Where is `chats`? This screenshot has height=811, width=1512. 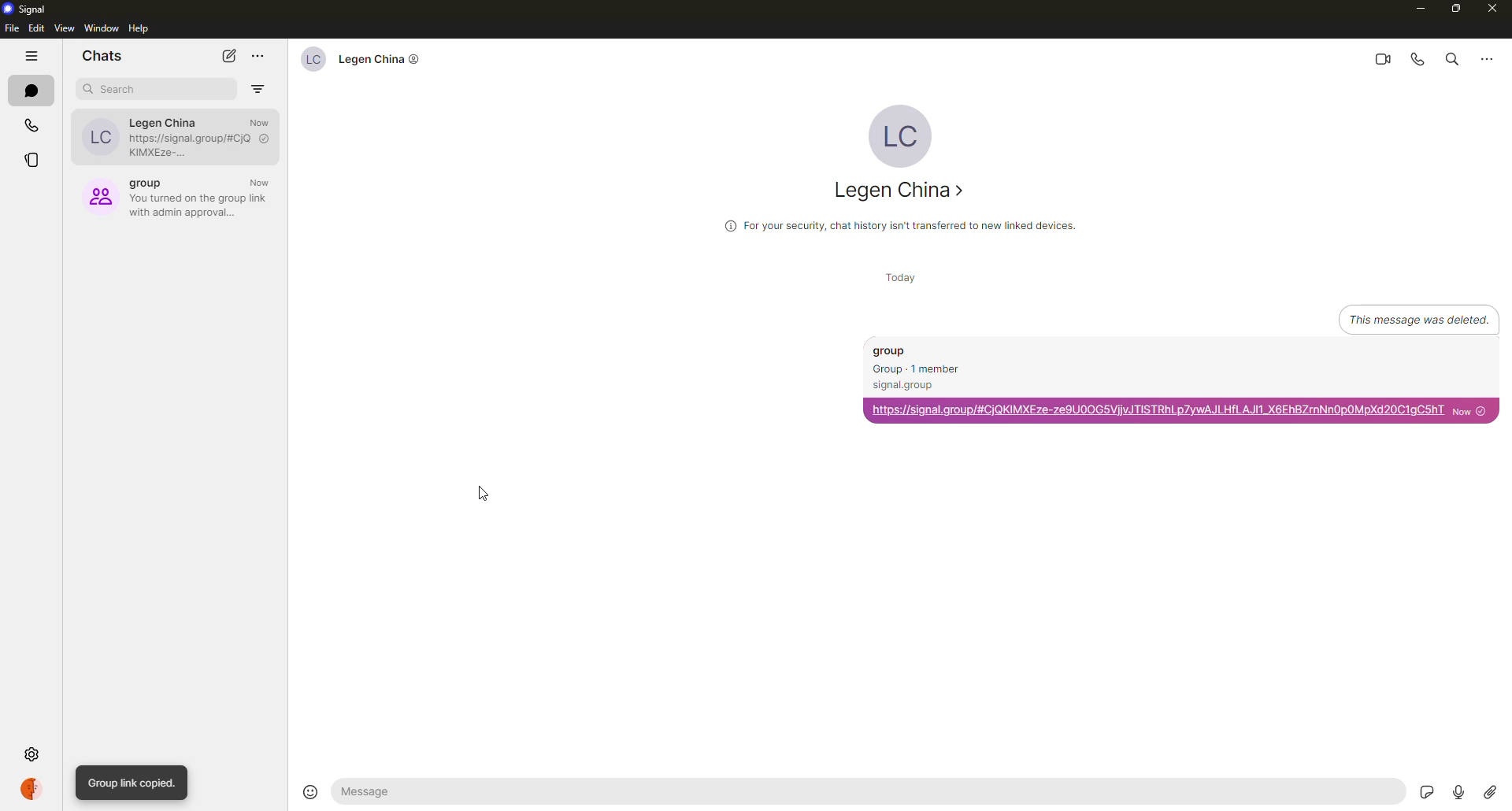 chats is located at coordinates (102, 54).